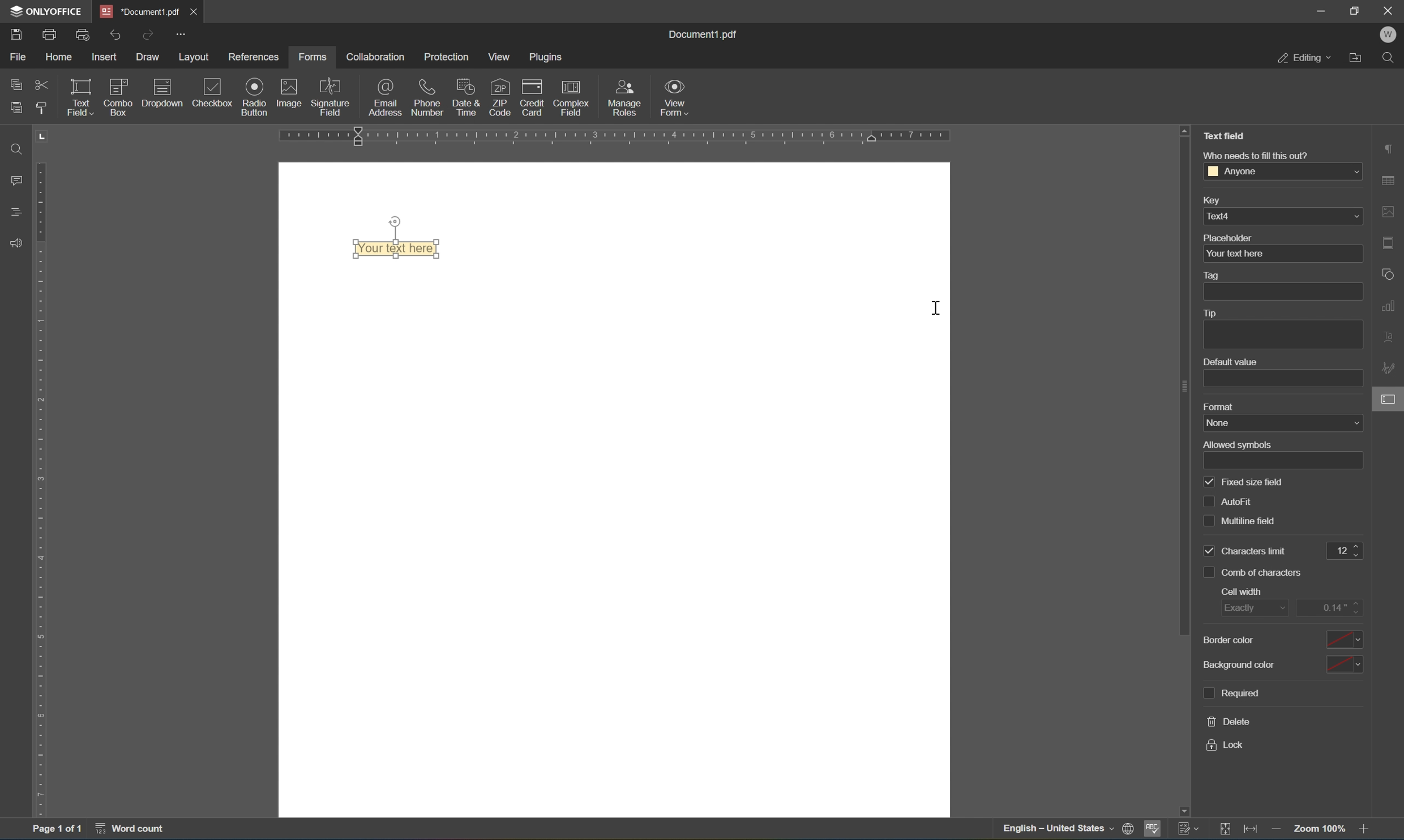 This screenshot has width=1404, height=840. What do you see at coordinates (288, 96) in the screenshot?
I see `image` at bounding box center [288, 96].